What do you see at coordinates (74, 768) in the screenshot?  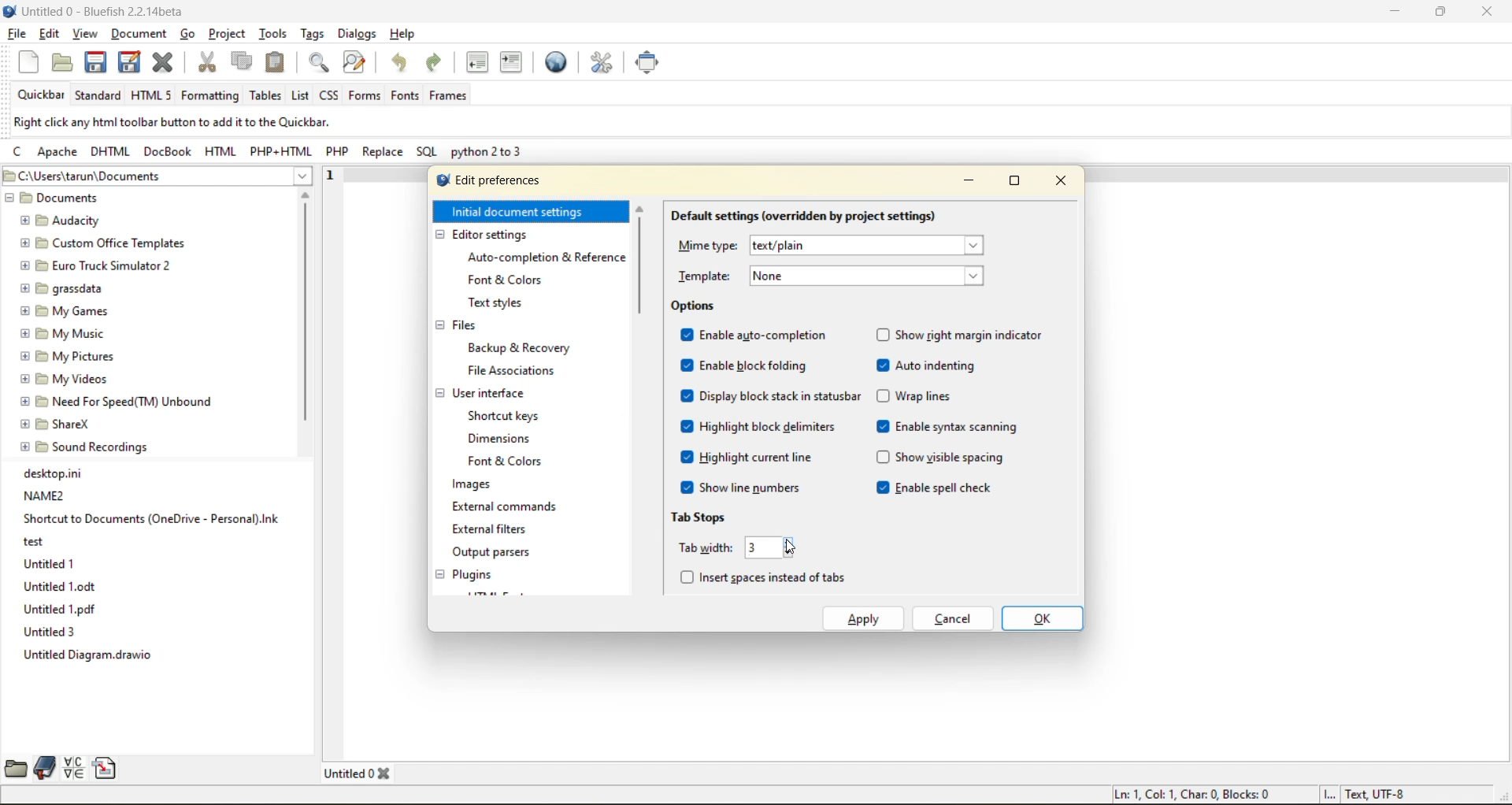 I see `charmap` at bounding box center [74, 768].